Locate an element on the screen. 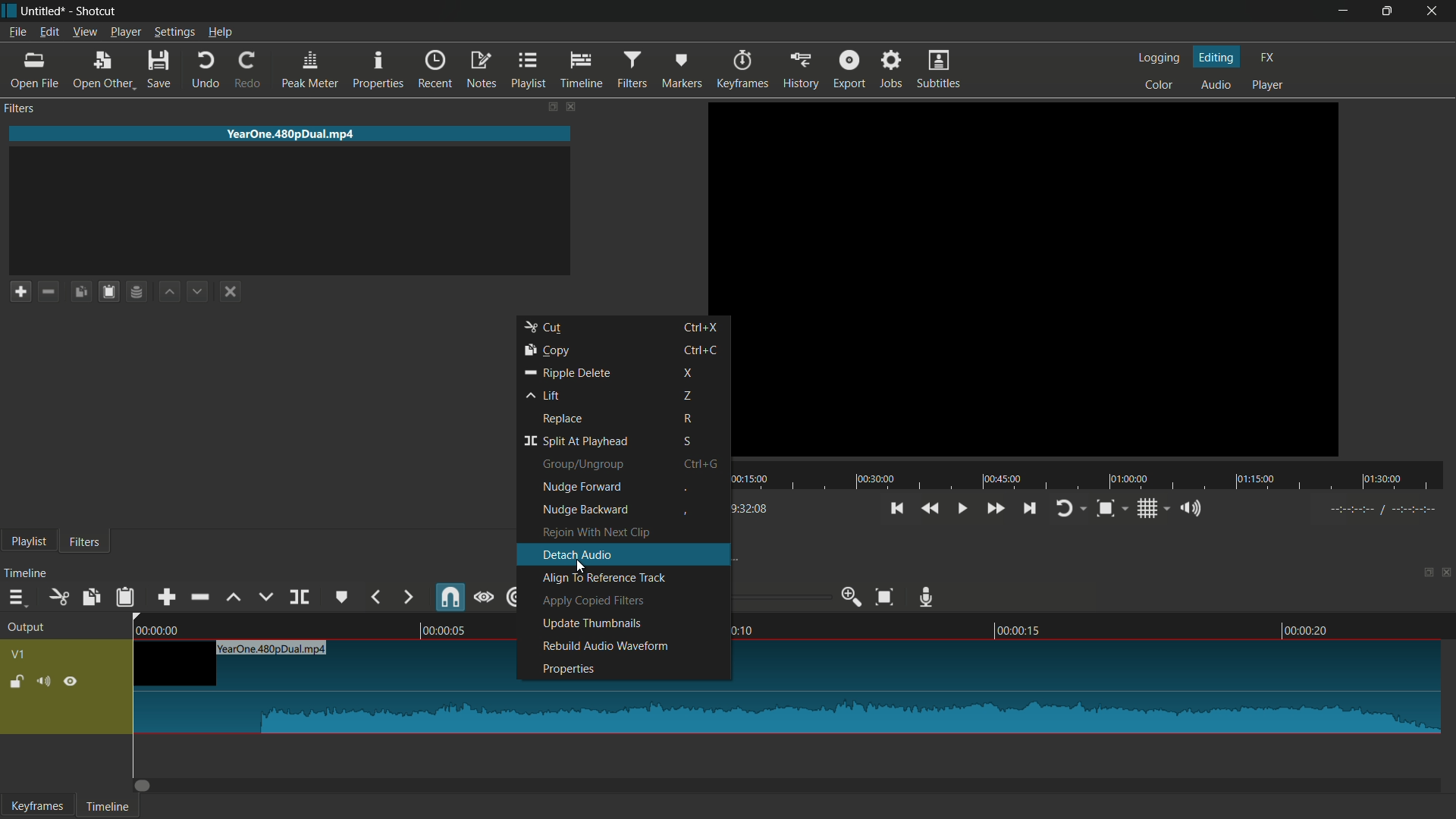 The image size is (1456, 819). 00:15:00 is located at coordinates (752, 480).